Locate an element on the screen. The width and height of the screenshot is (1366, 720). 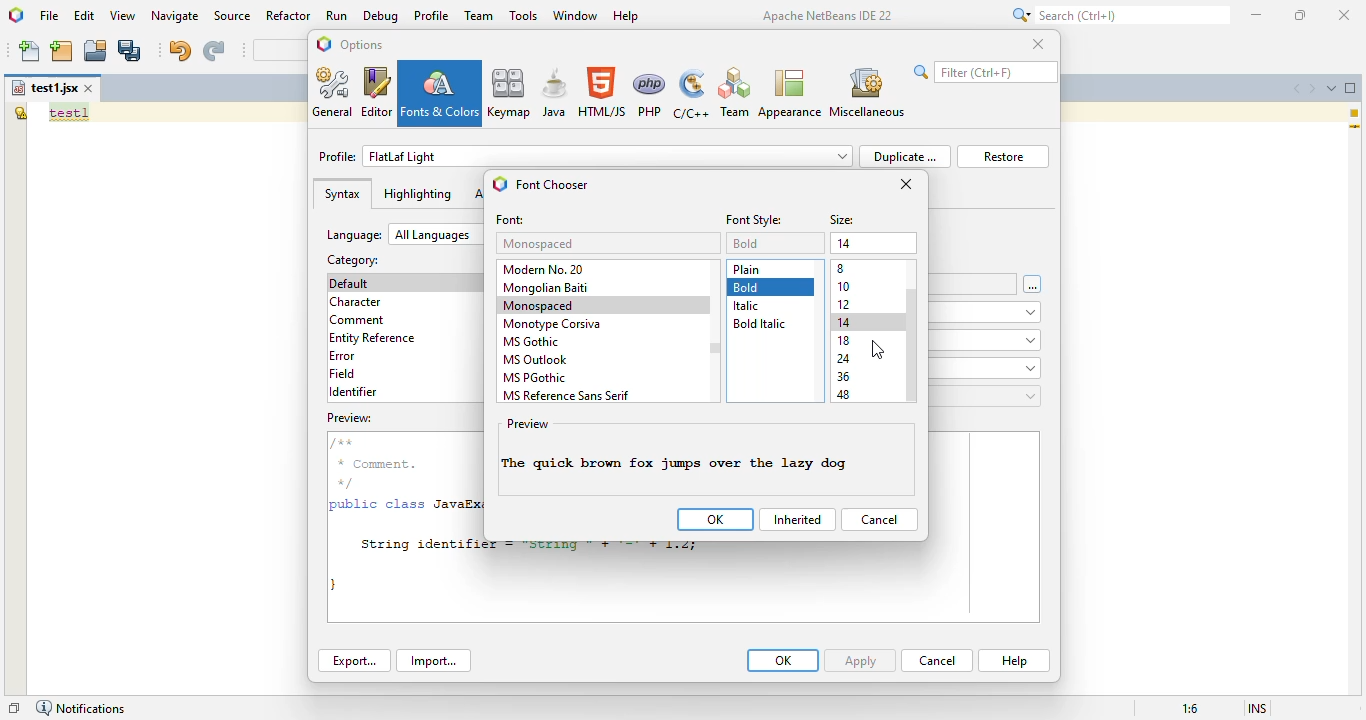
preview:  is located at coordinates (351, 418).